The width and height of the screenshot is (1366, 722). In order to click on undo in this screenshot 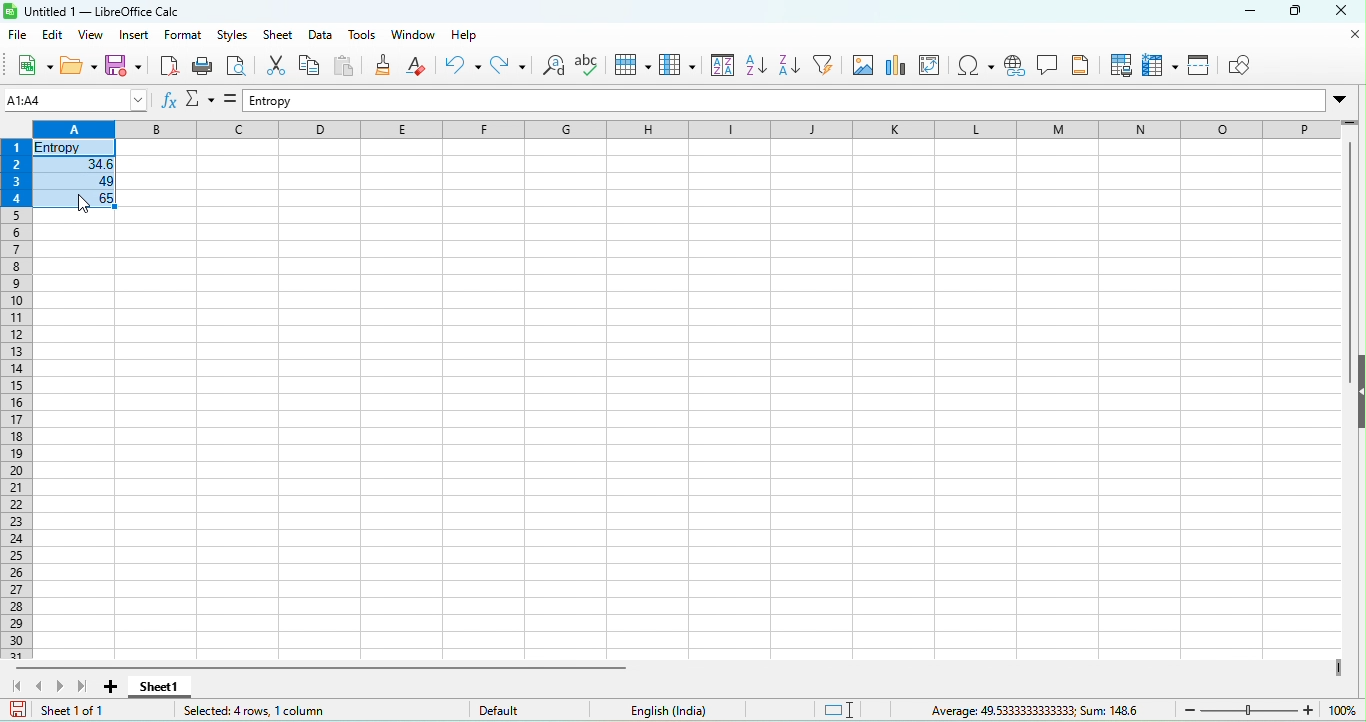, I will do `click(461, 70)`.